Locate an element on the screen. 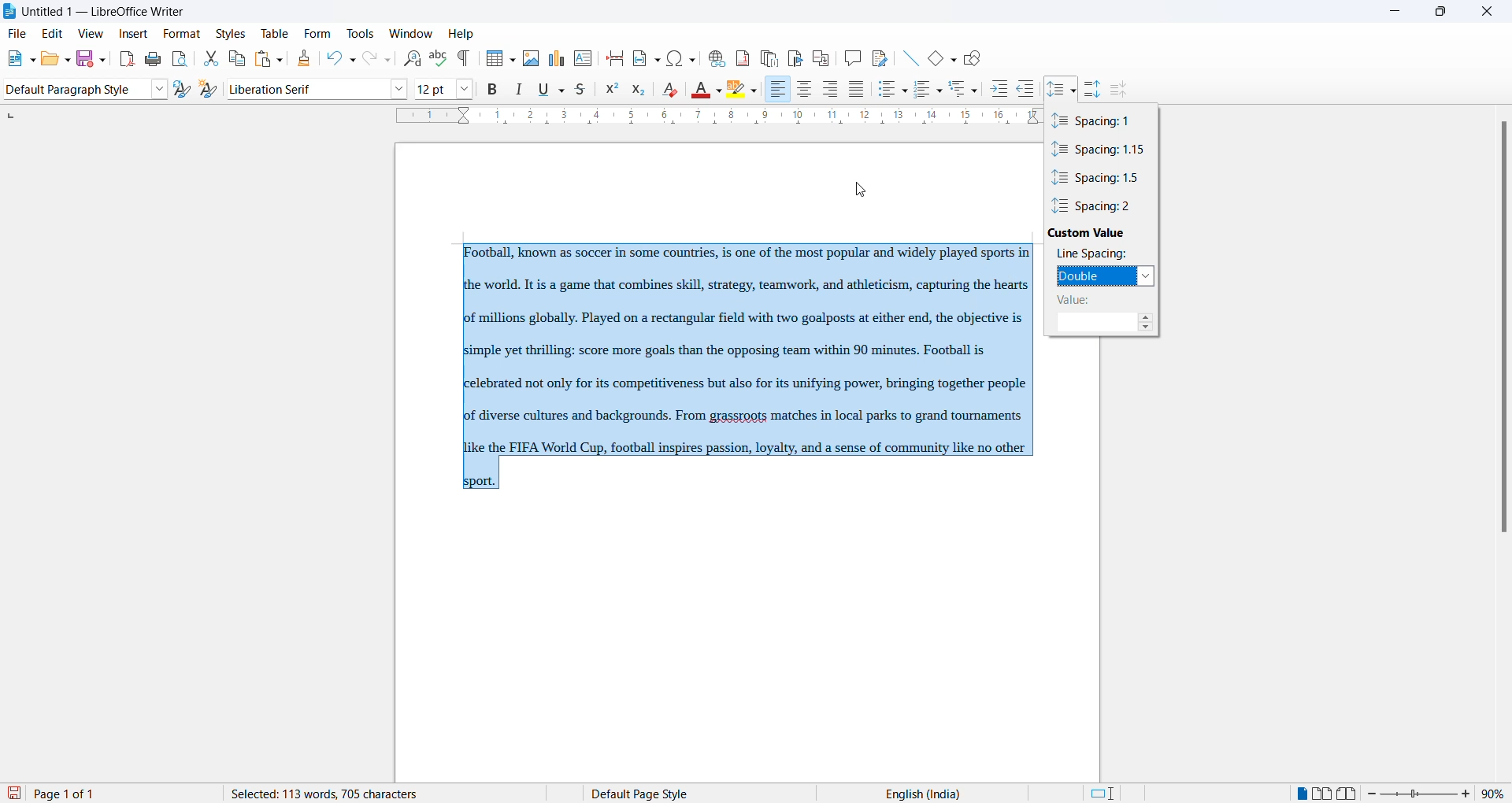 The width and height of the screenshot is (1512, 803). subscript is located at coordinates (637, 90).